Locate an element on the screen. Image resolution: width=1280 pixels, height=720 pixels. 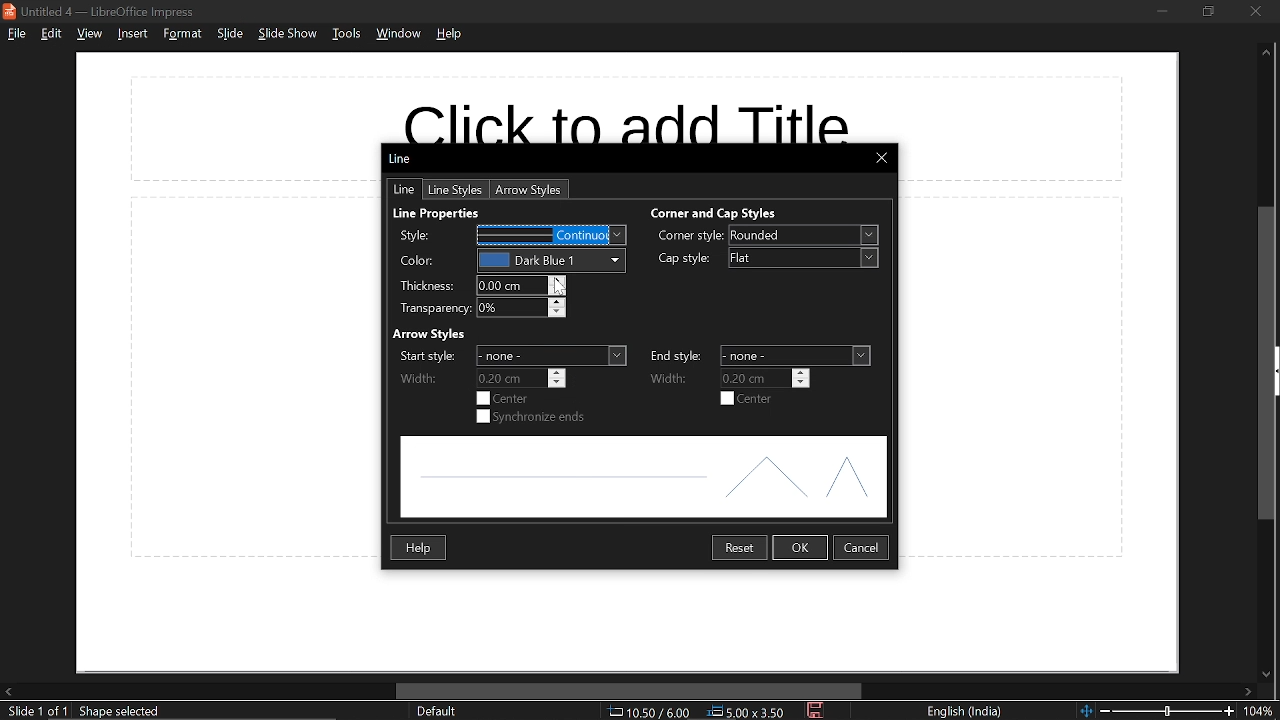
Labels is located at coordinates (690, 248).